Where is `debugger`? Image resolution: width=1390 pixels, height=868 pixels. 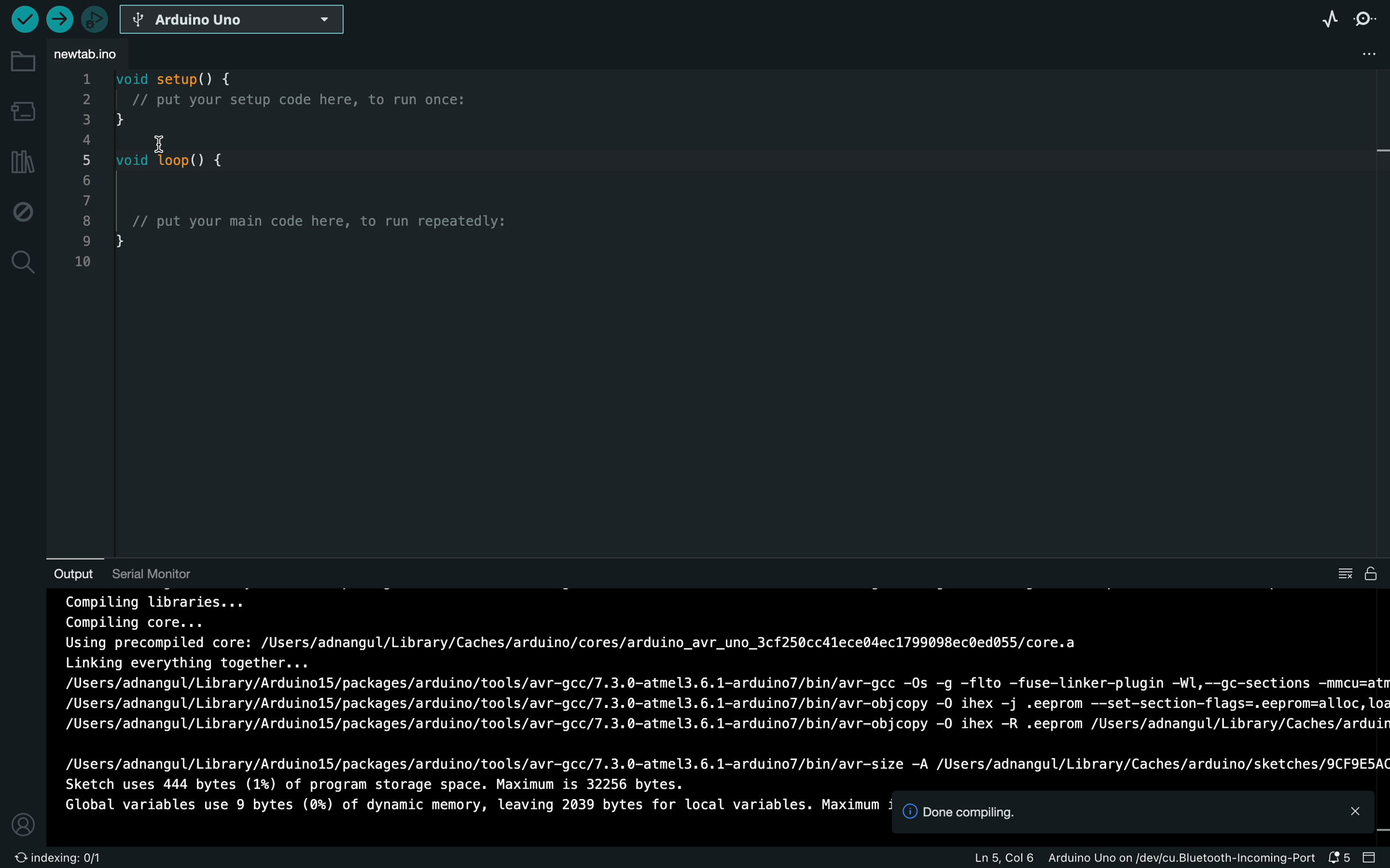
debugger is located at coordinates (94, 19).